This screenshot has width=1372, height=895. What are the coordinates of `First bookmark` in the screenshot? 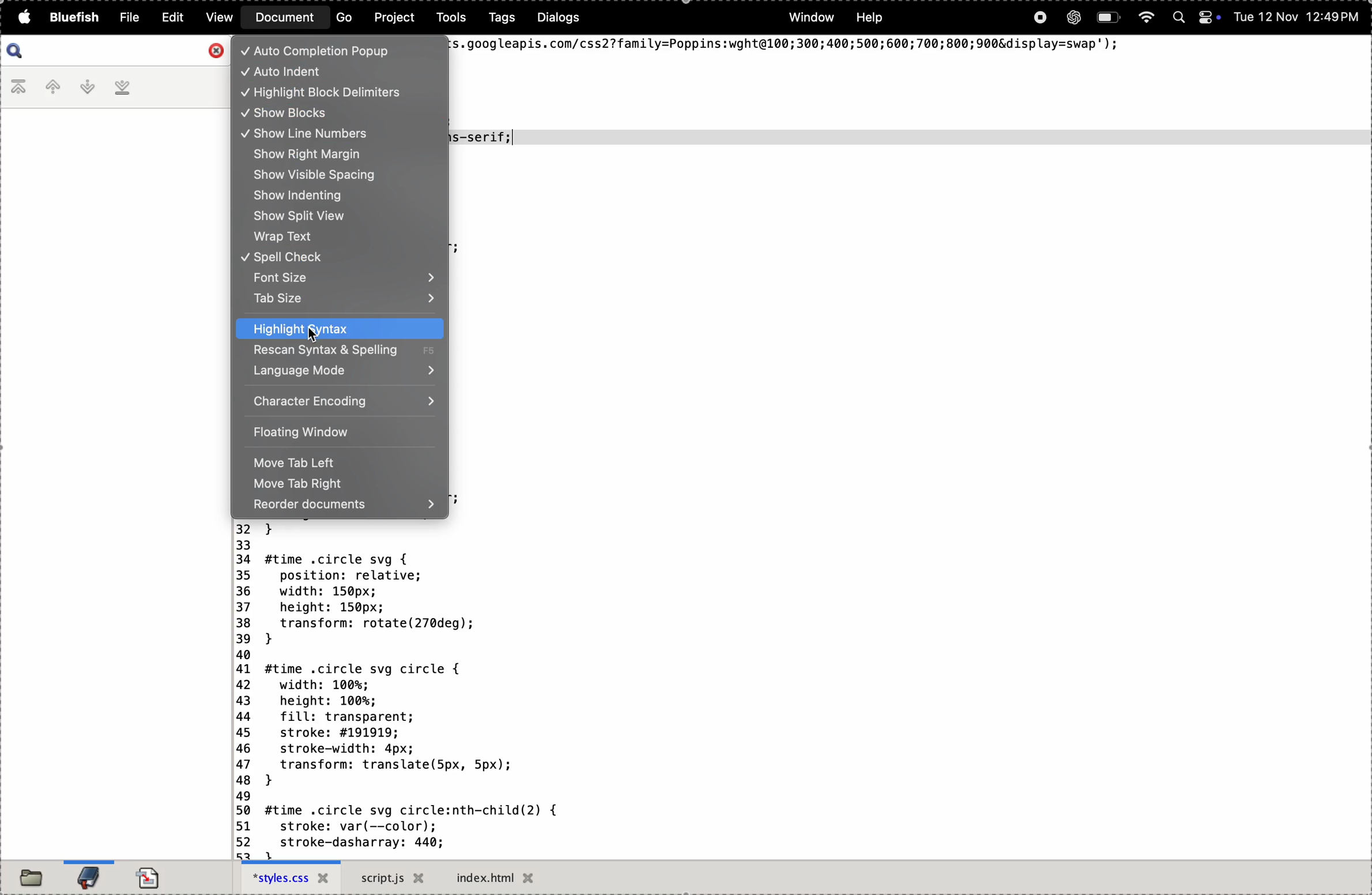 It's located at (19, 89).